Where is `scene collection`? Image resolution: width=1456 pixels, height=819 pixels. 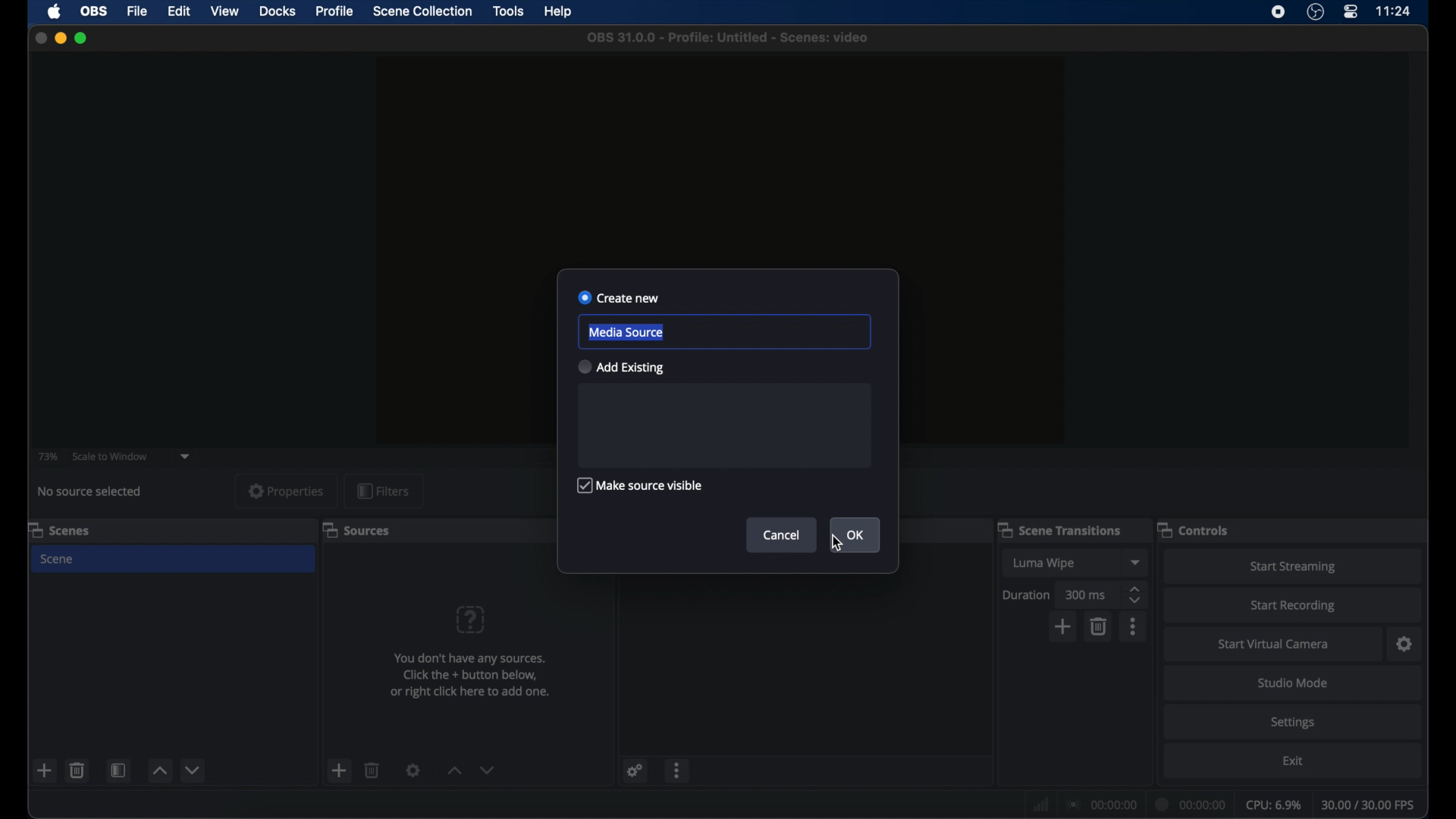
scene collection is located at coordinates (422, 11).